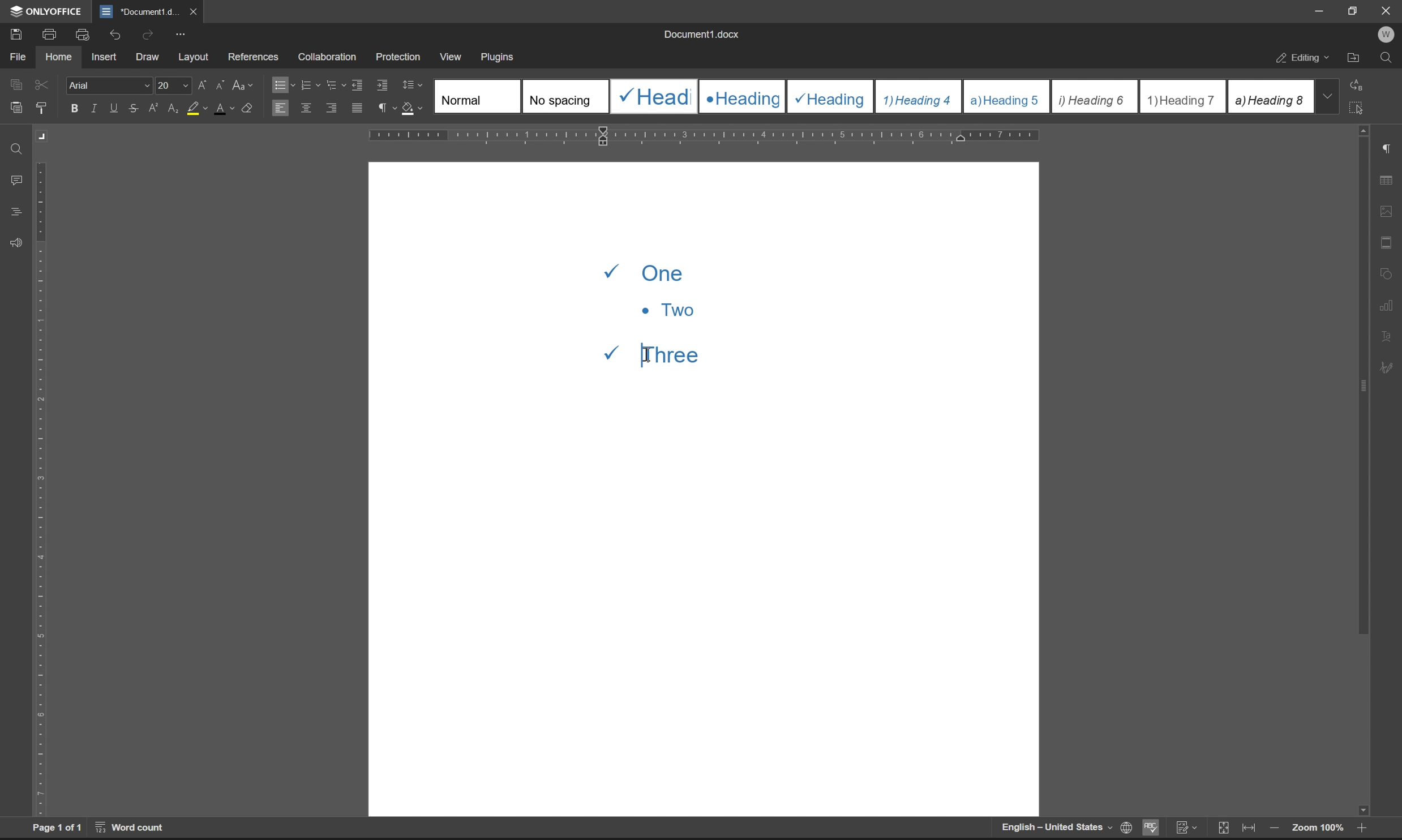 This screenshot has height=840, width=1402. What do you see at coordinates (194, 57) in the screenshot?
I see `layout` at bounding box center [194, 57].